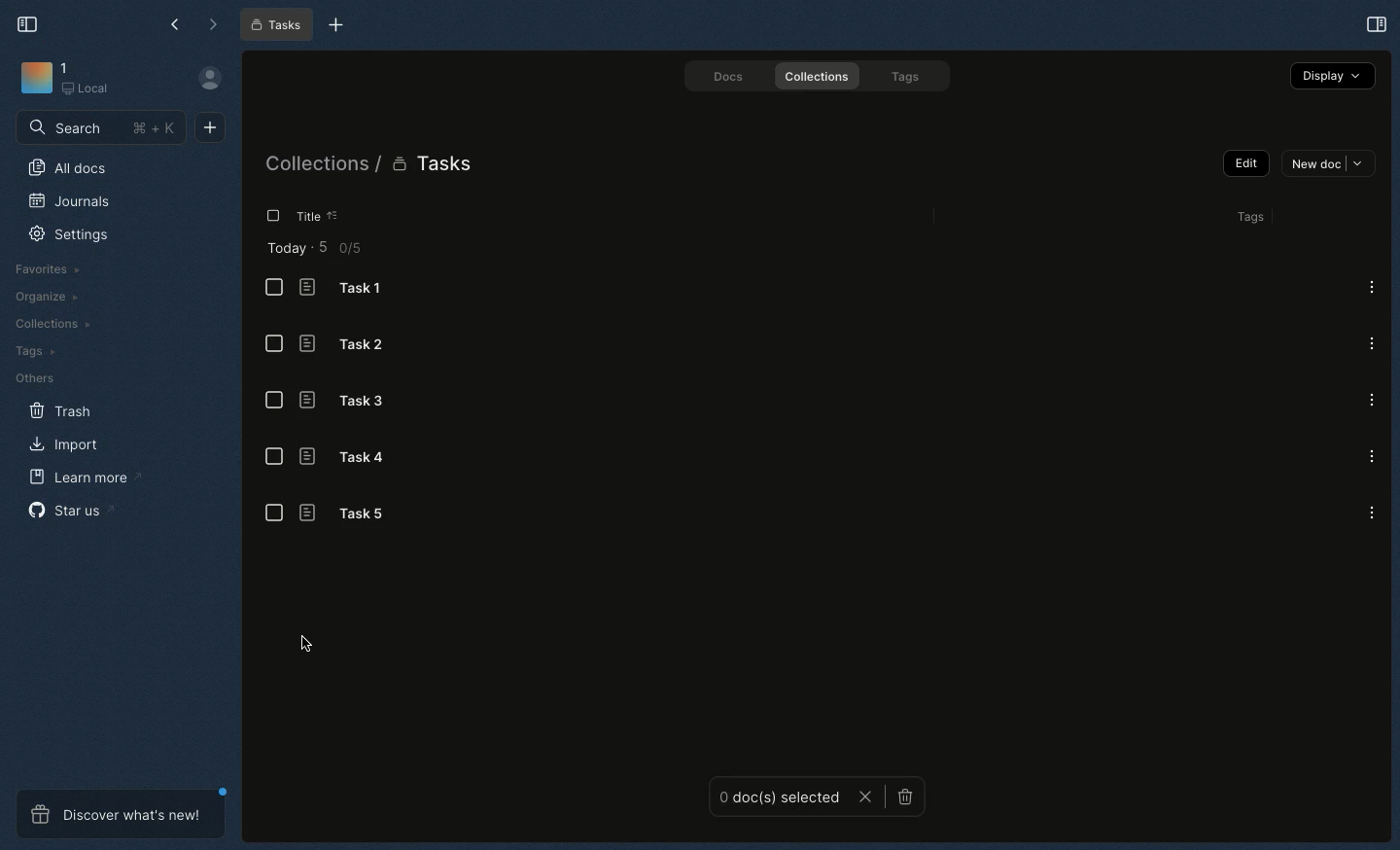  I want to click on Sorting, so click(346, 215).